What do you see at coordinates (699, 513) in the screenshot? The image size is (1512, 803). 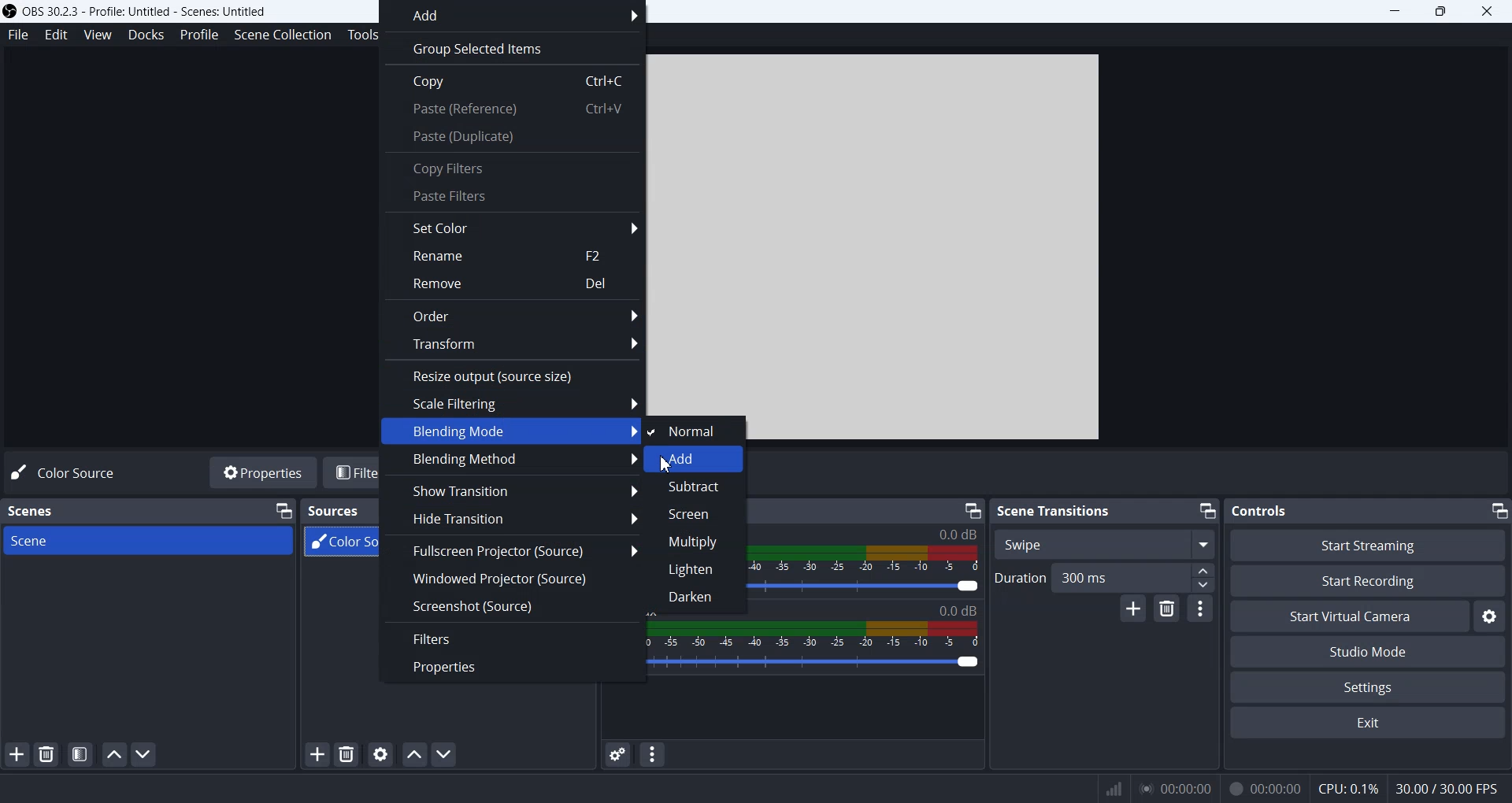 I see `Screen` at bounding box center [699, 513].